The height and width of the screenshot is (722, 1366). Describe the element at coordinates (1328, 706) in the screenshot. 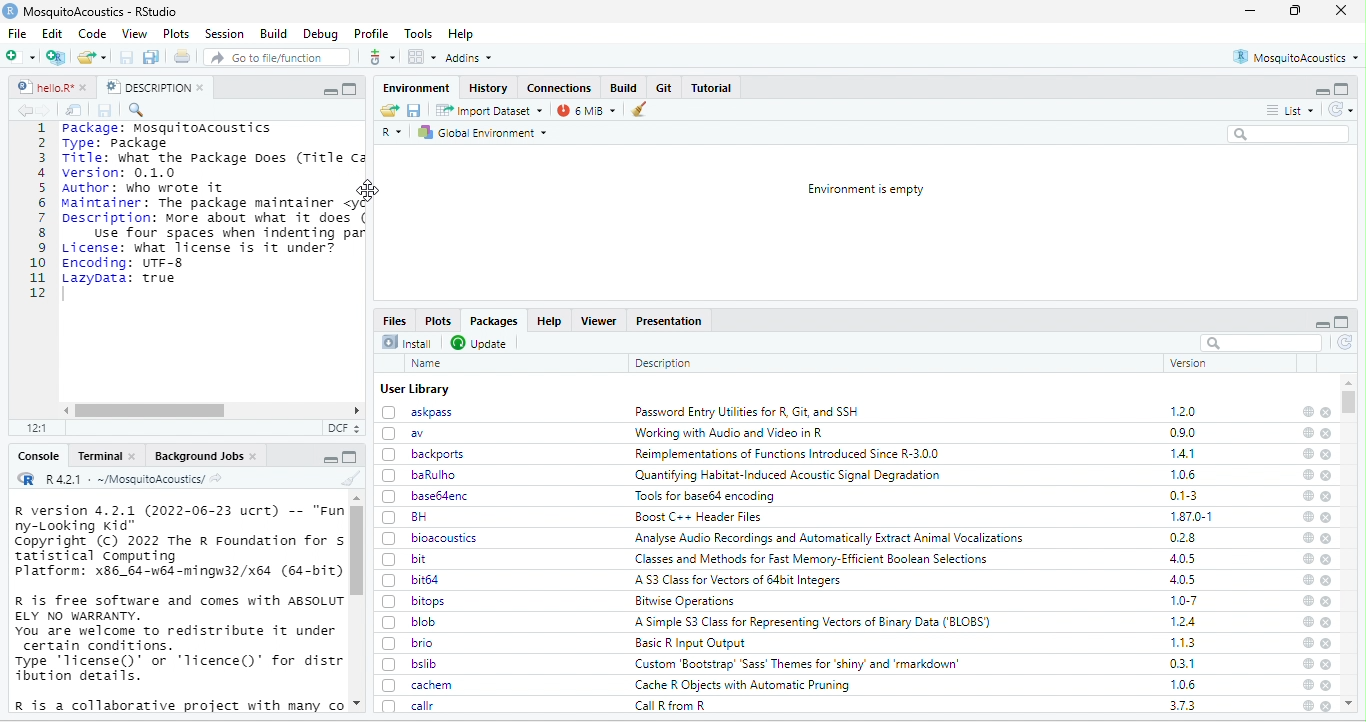

I see `close` at that location.